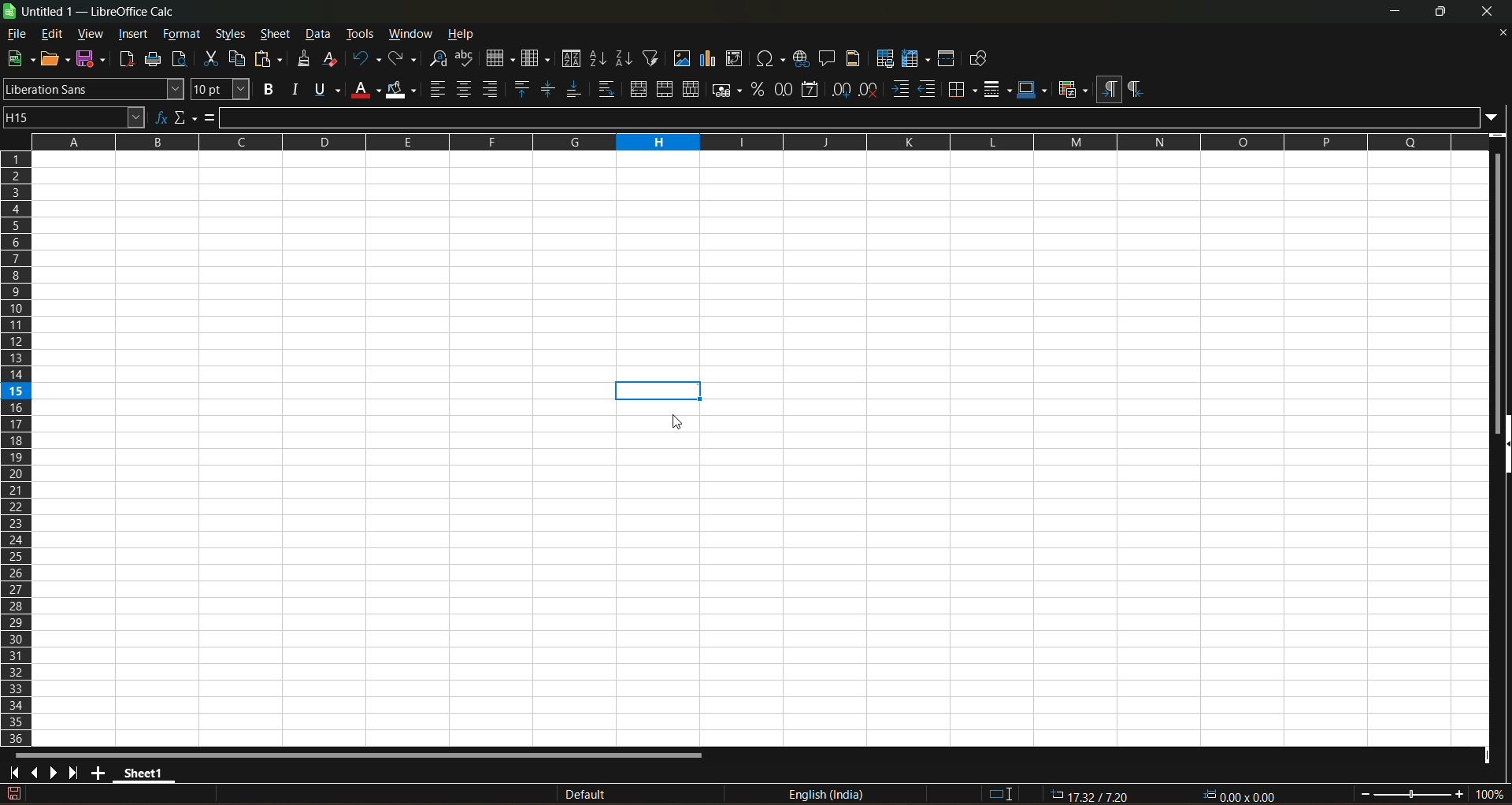 The image size is (1512, 805). Describe the element at coordinates (221, 89) in the screenshot. I see `font size` at that location.